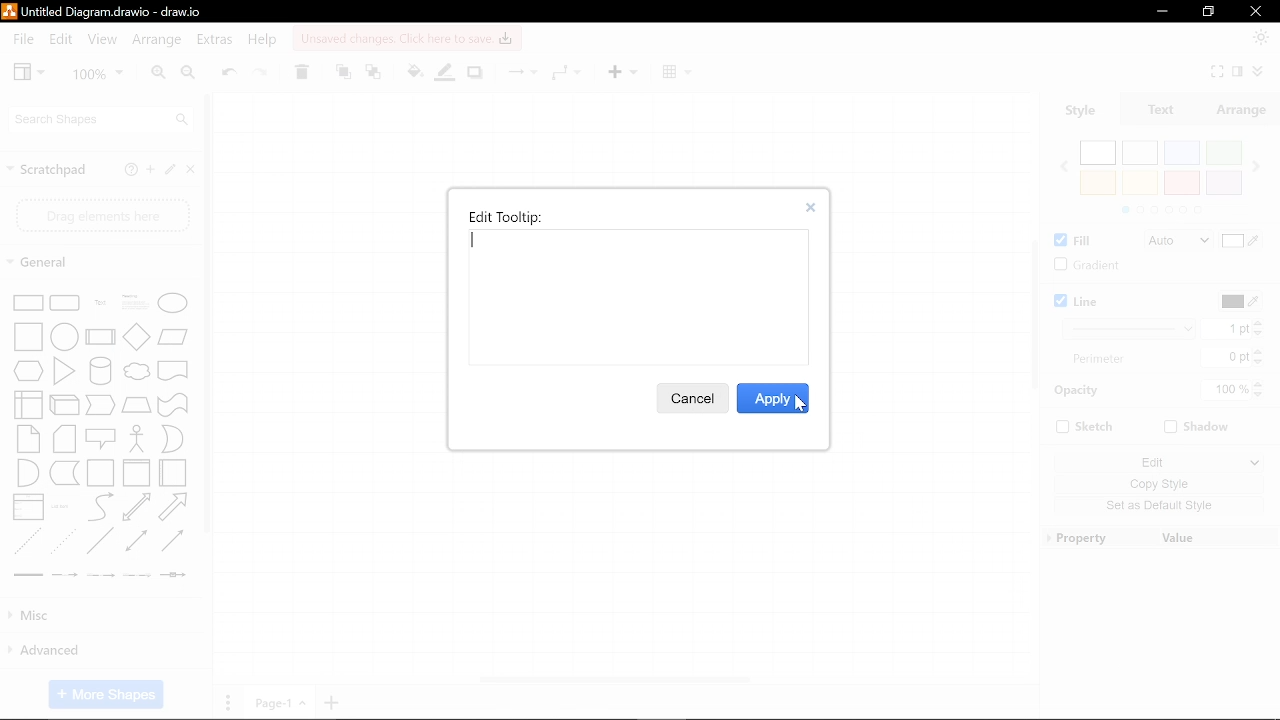  I want to click on Minimize, so click(1161, 12).